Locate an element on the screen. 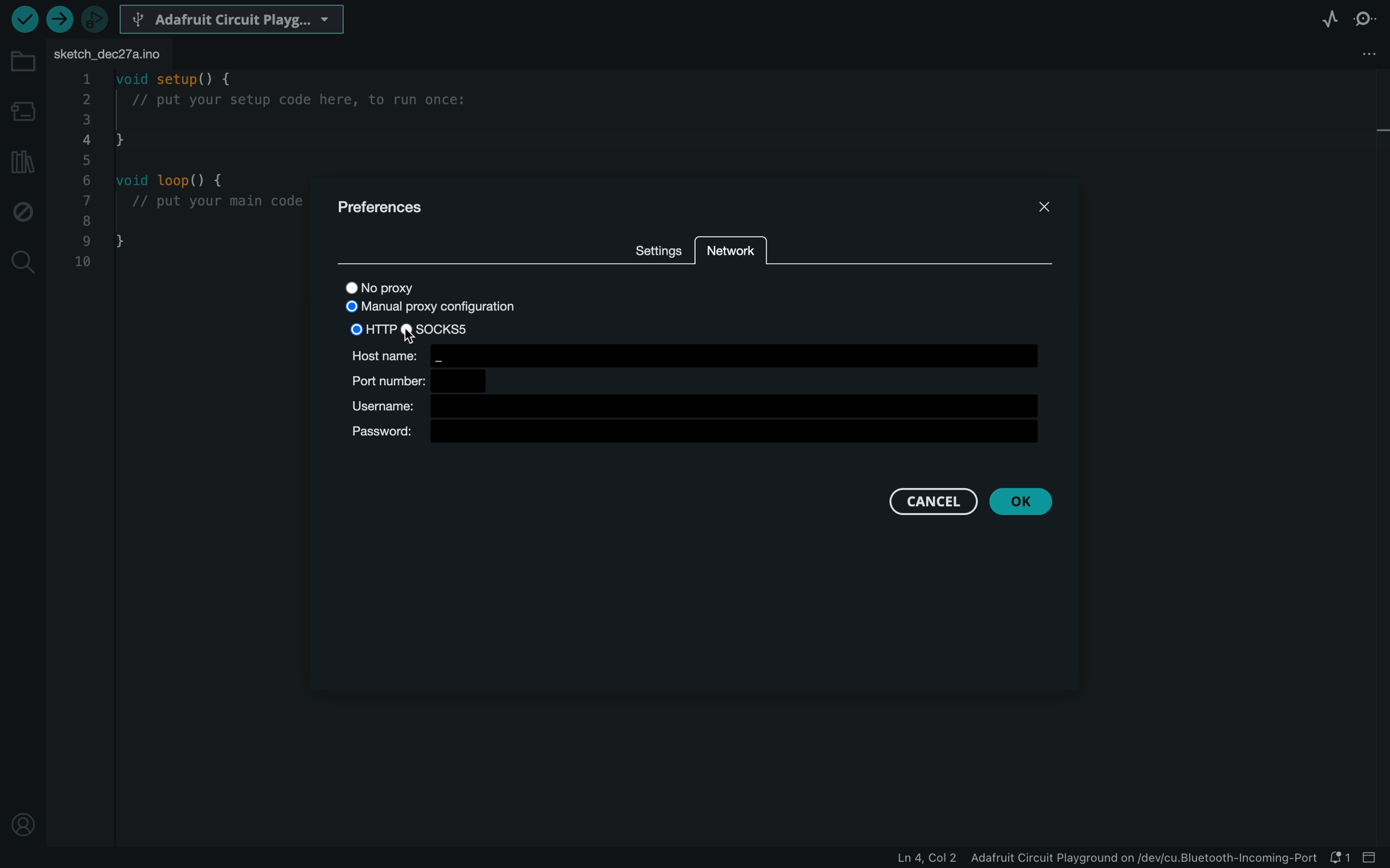 The image size is (1390, 868). password is located at coordinates (701, 433).